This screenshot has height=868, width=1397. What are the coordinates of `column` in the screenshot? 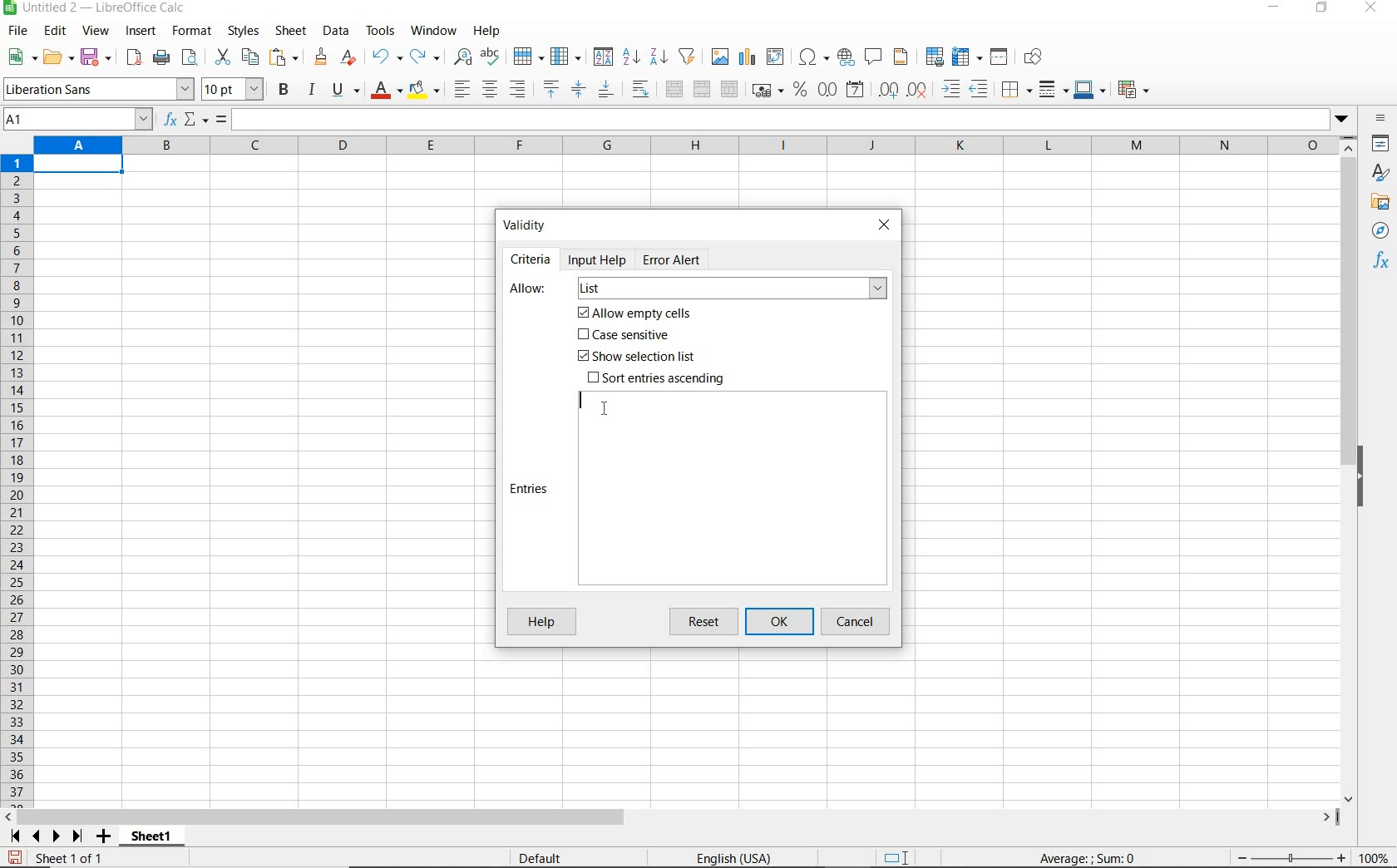 It's located at (567, 57).